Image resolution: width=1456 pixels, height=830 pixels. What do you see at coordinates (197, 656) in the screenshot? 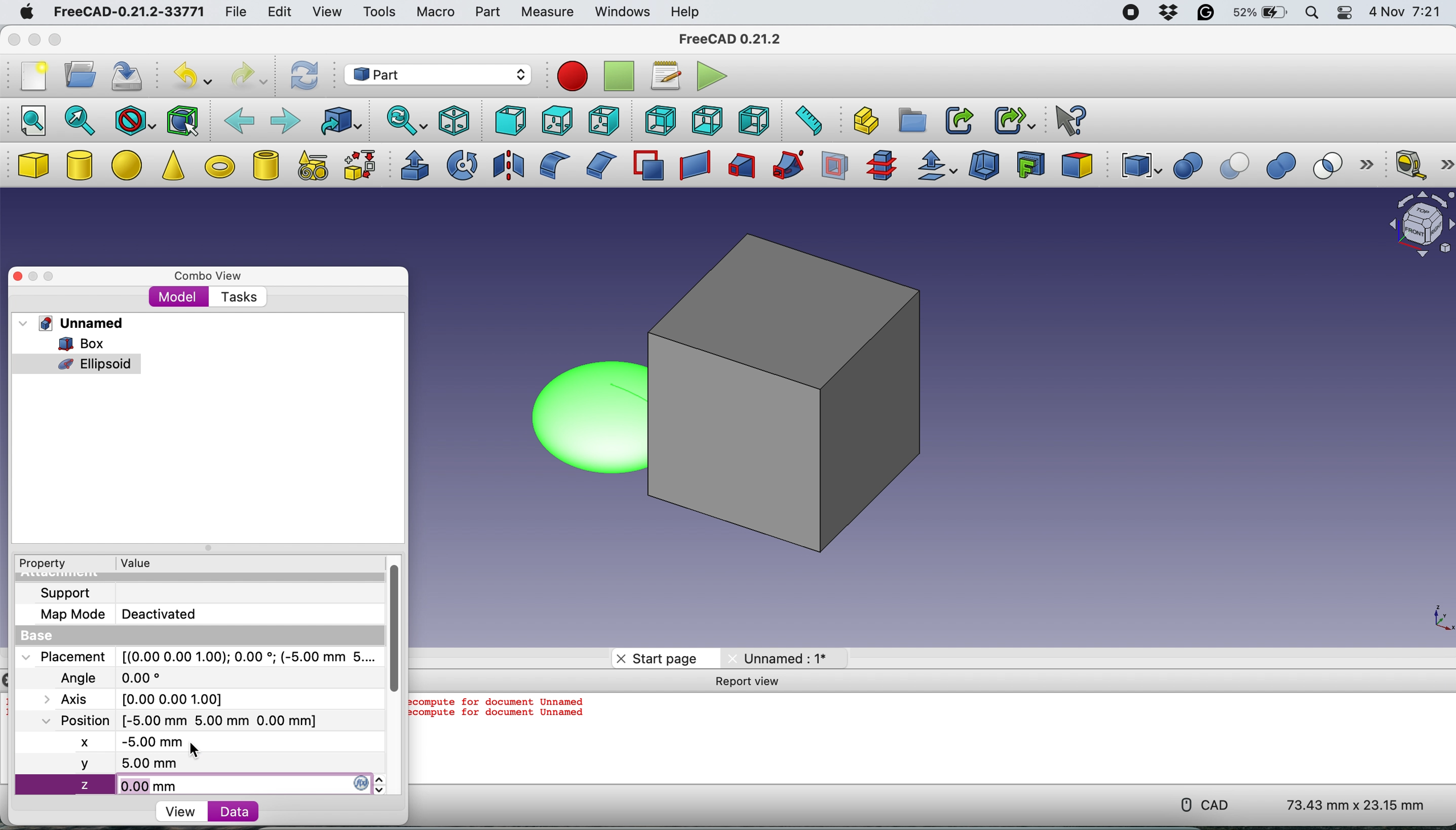
I see `Placement [(0.00 0.00 1.00); 0.00 *, (-5.00 mm 0..` at bounding box center [197, 656].